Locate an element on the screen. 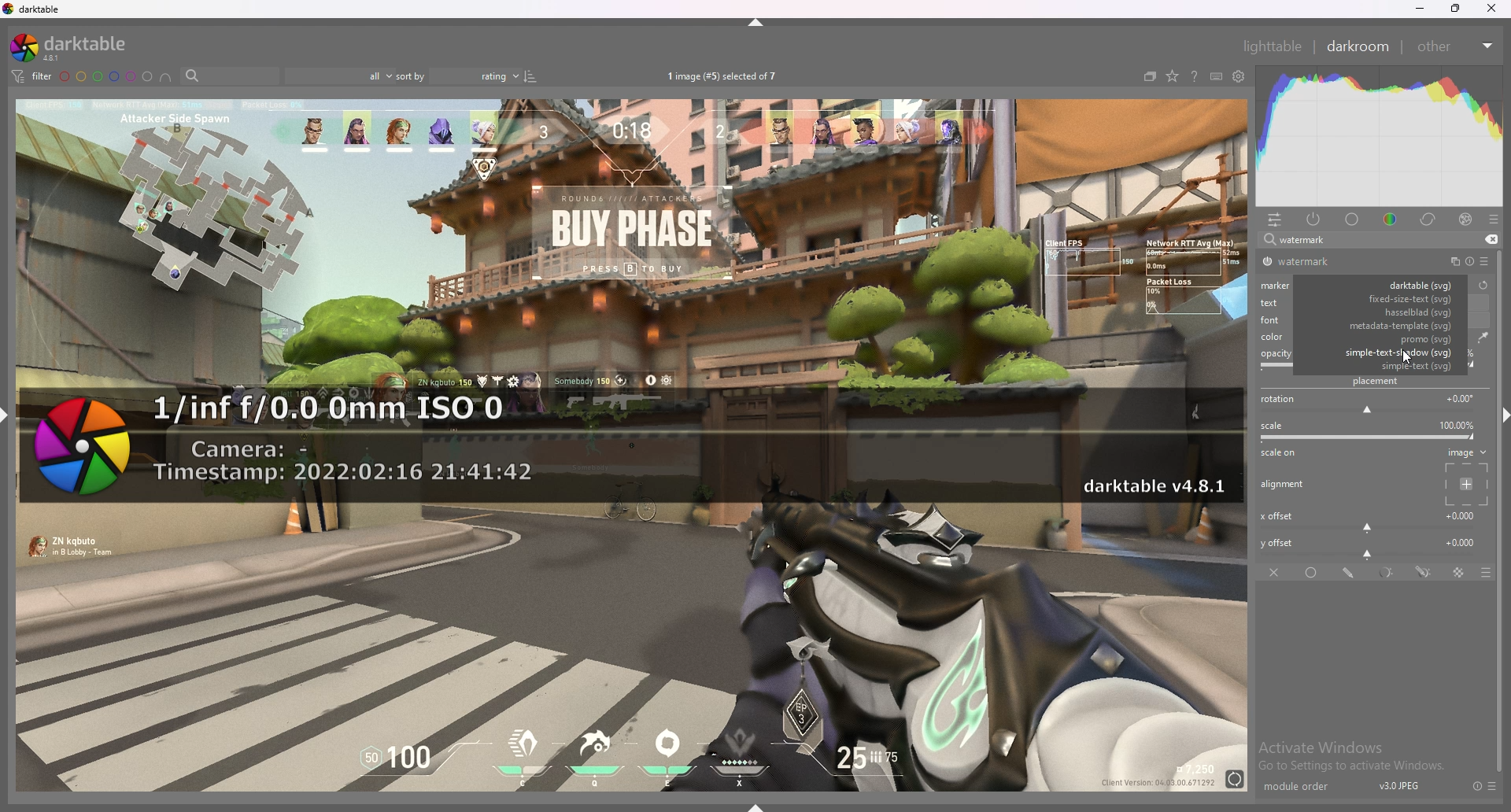 This screenshot has height=812, width=1511. reset is located at coordinates (1476, 786).